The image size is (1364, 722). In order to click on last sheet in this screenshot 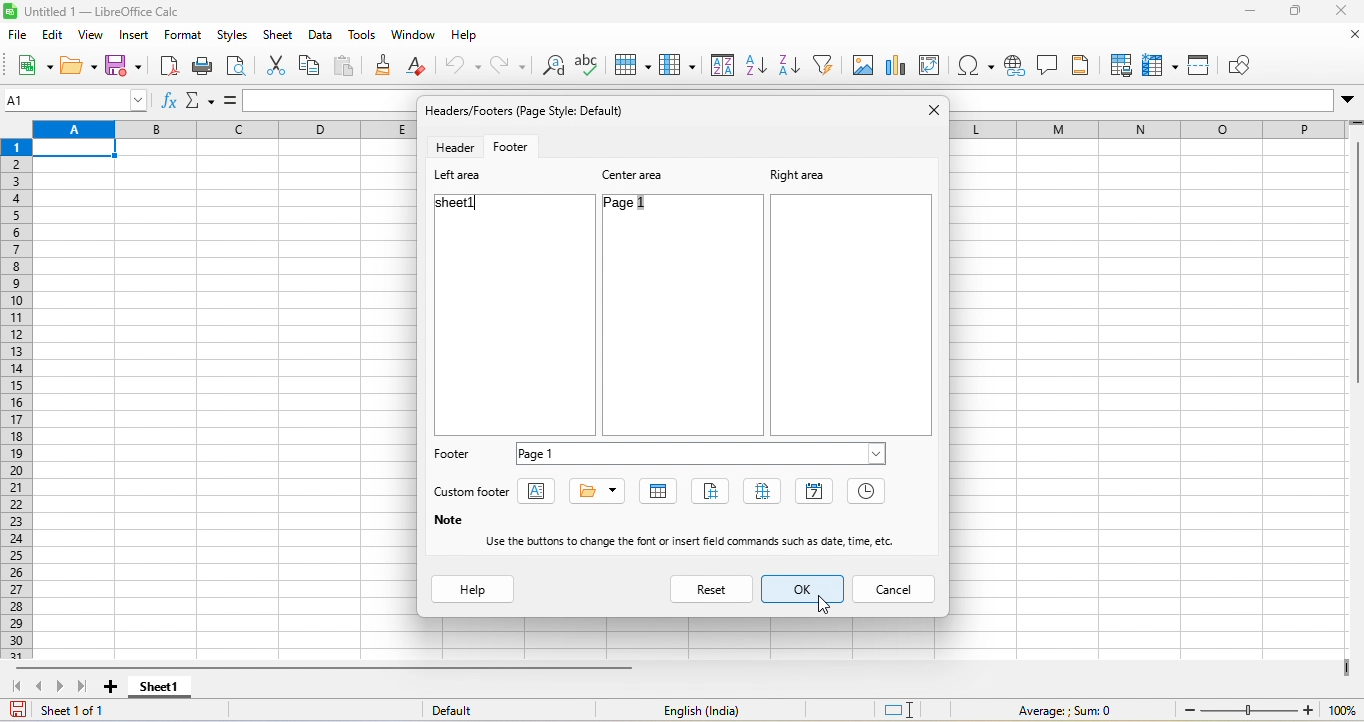, I will do `click(87, 687)`.